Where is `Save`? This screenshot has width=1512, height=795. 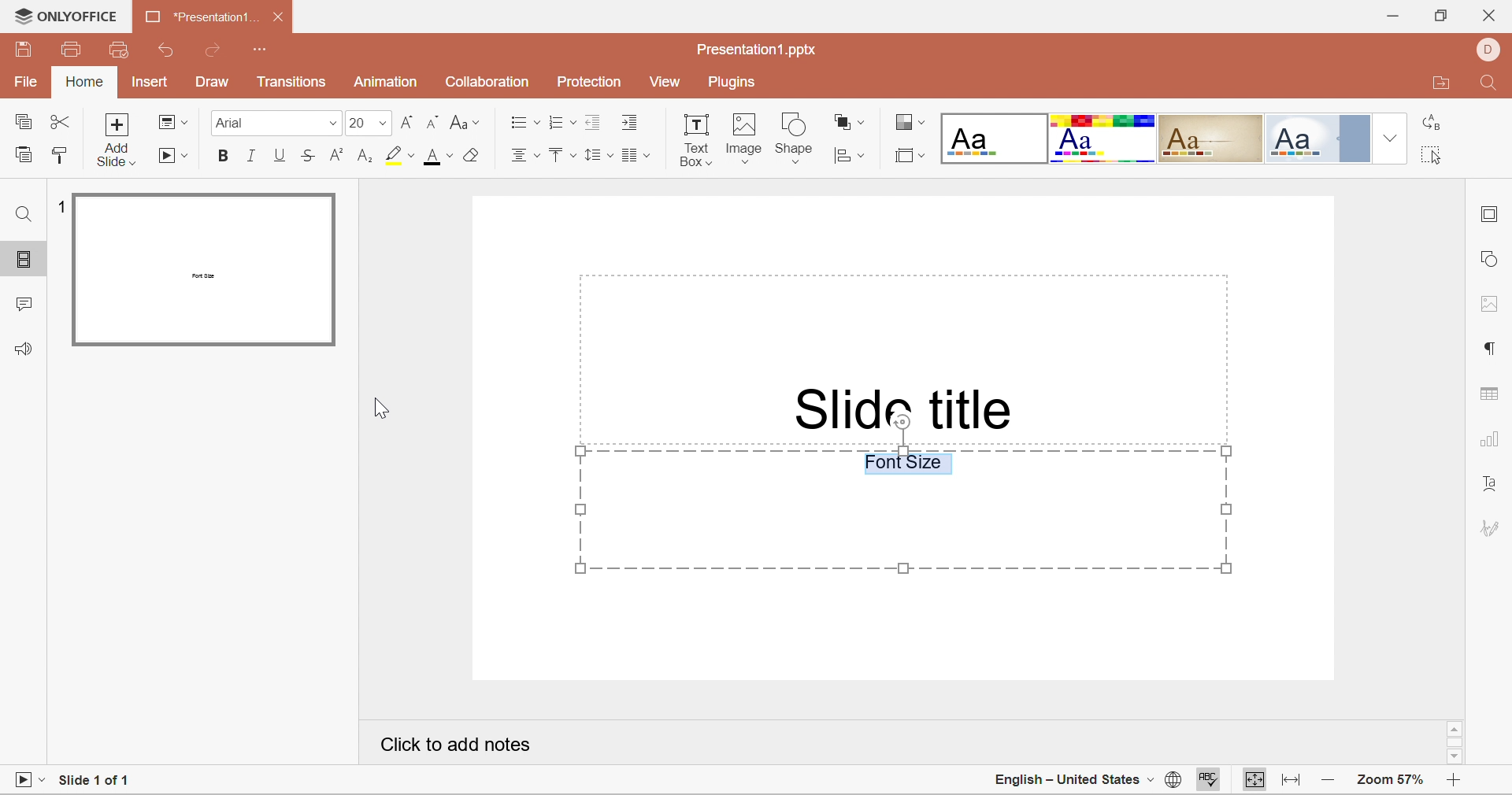 Save is located at coordinates (26, 54).